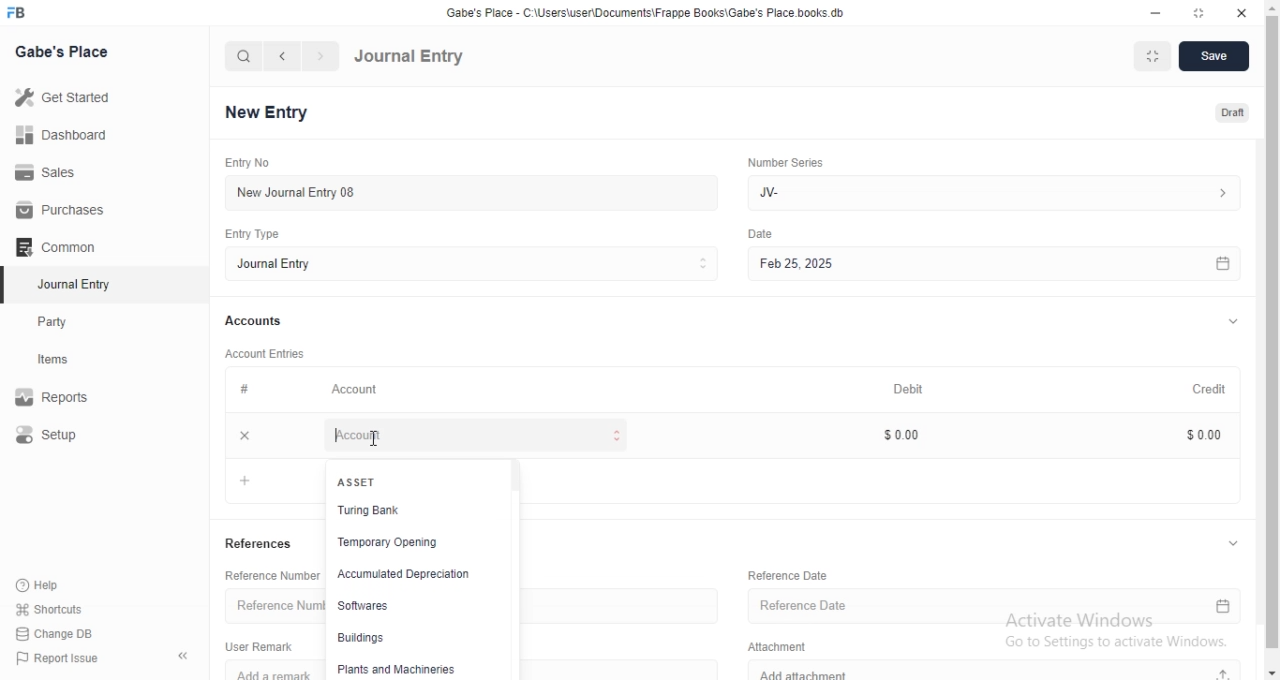 This screenshot has width=1280, height=680. Describe the element at coordinates (1210, 434) in the screenshot. I see `$0.00` at that location.